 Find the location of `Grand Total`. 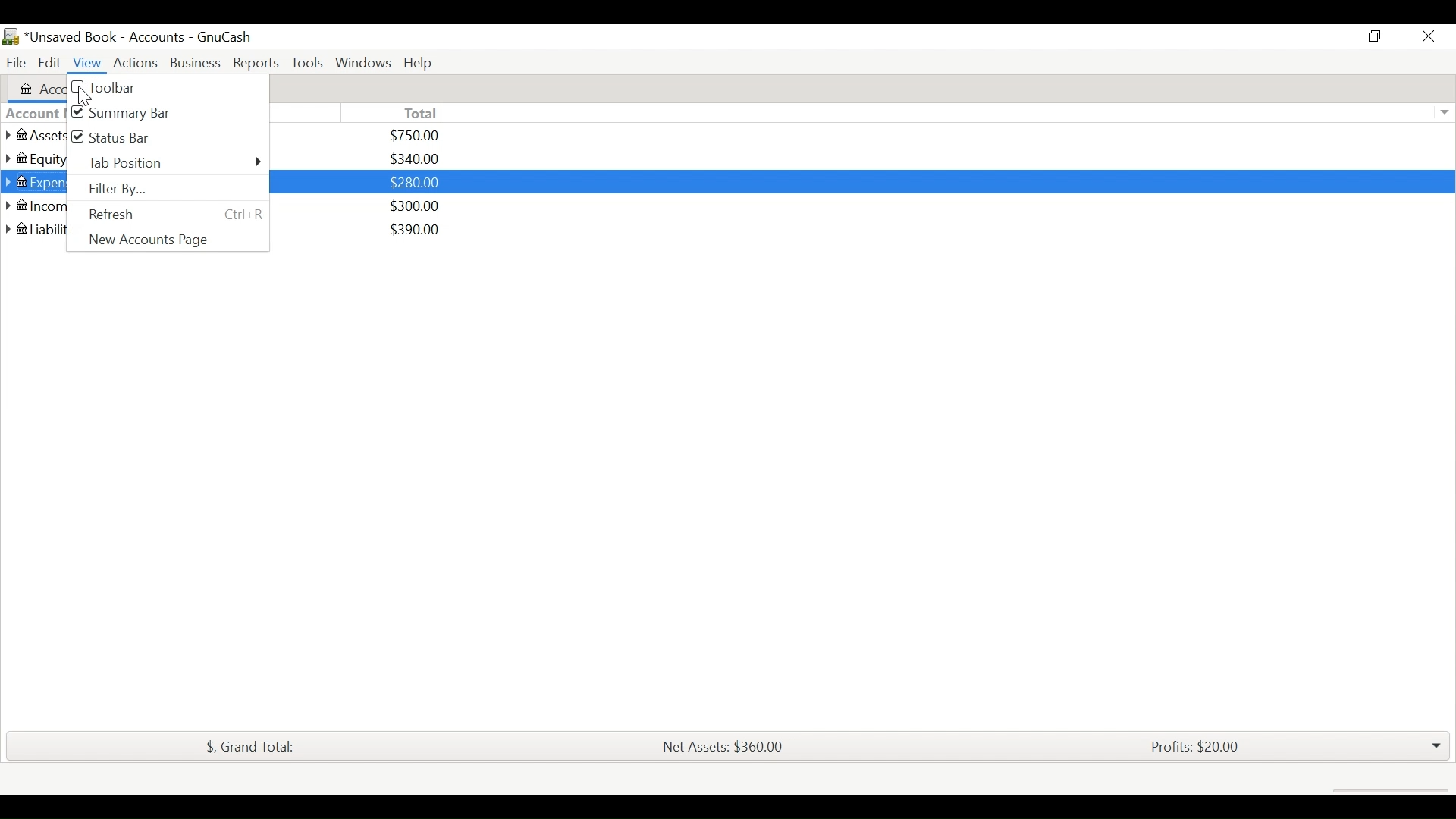

Grand Total is located at coordinates (246, 746).